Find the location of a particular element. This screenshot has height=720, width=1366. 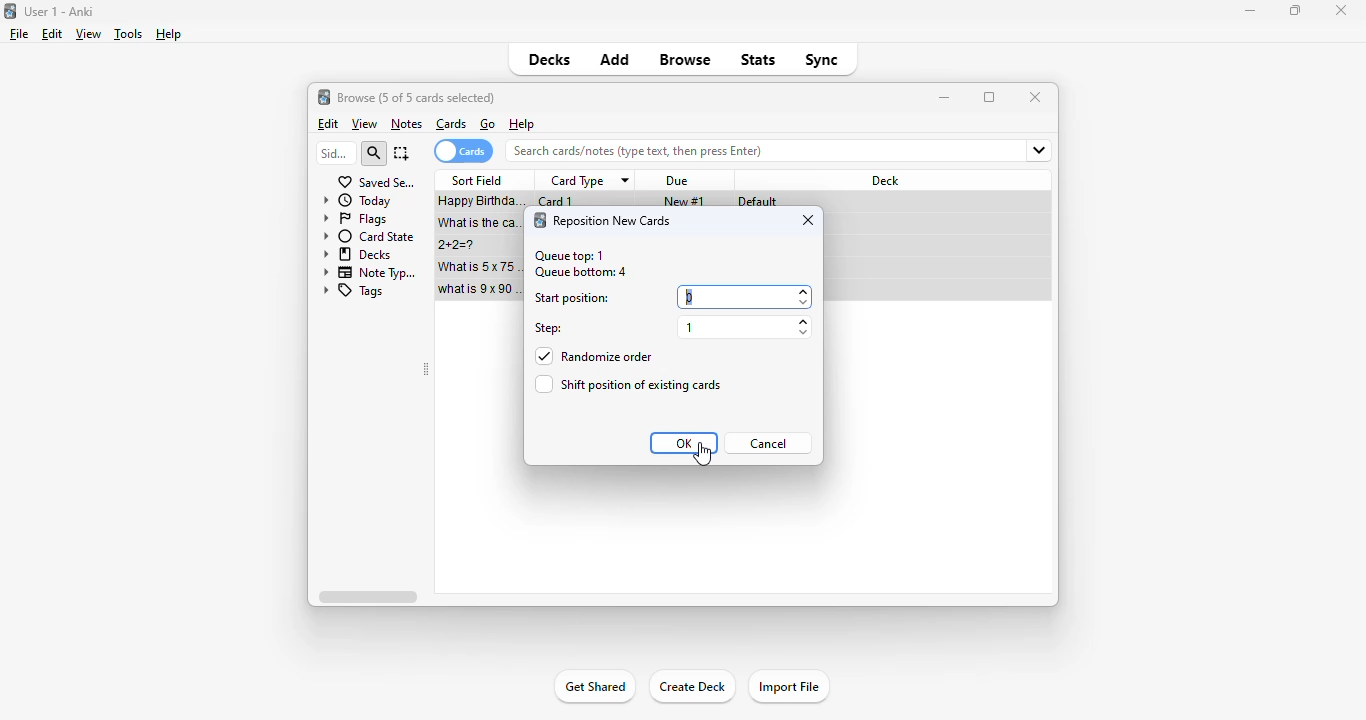

default is located at coordinates (760, 202).